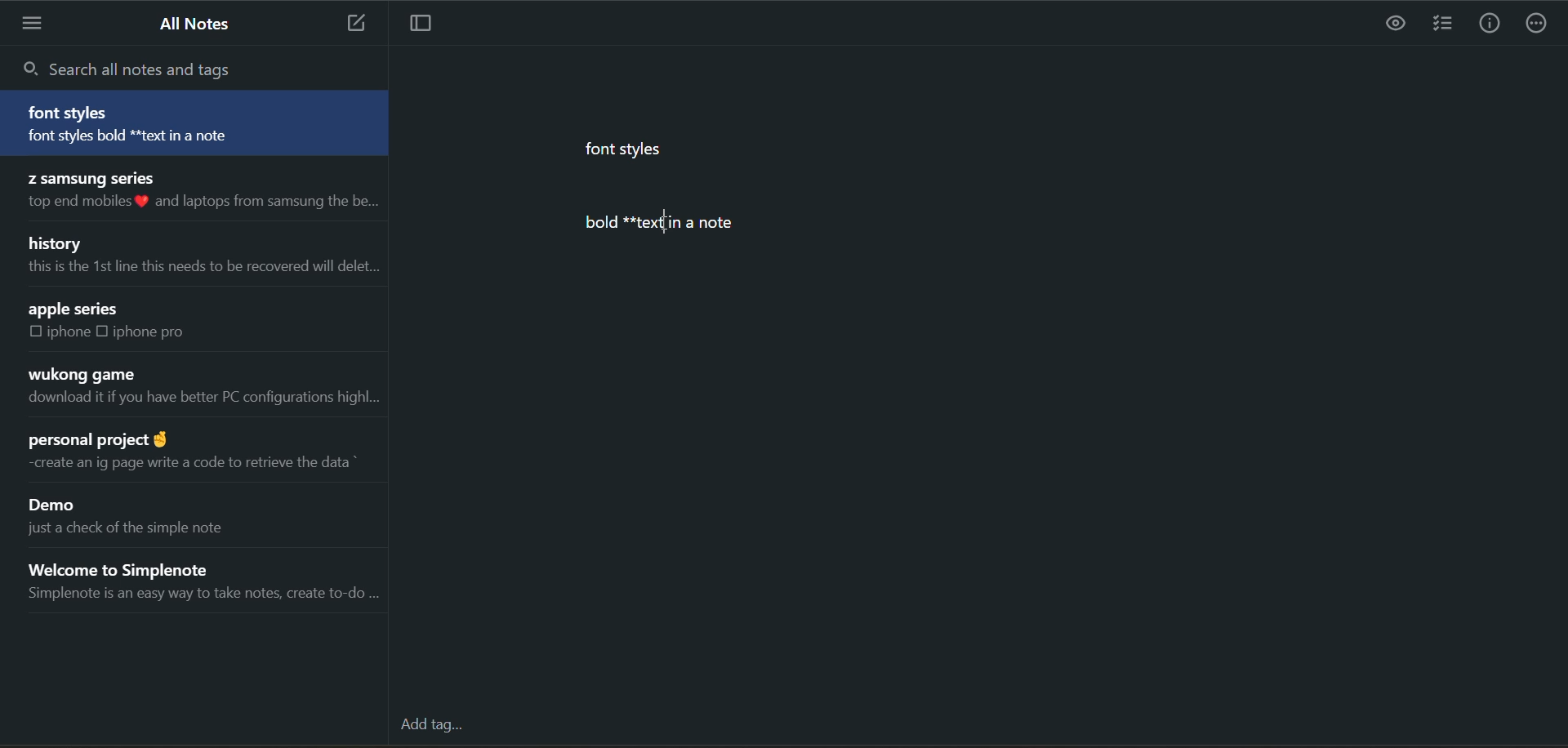  I want to click on iphone, so click(70, 332).